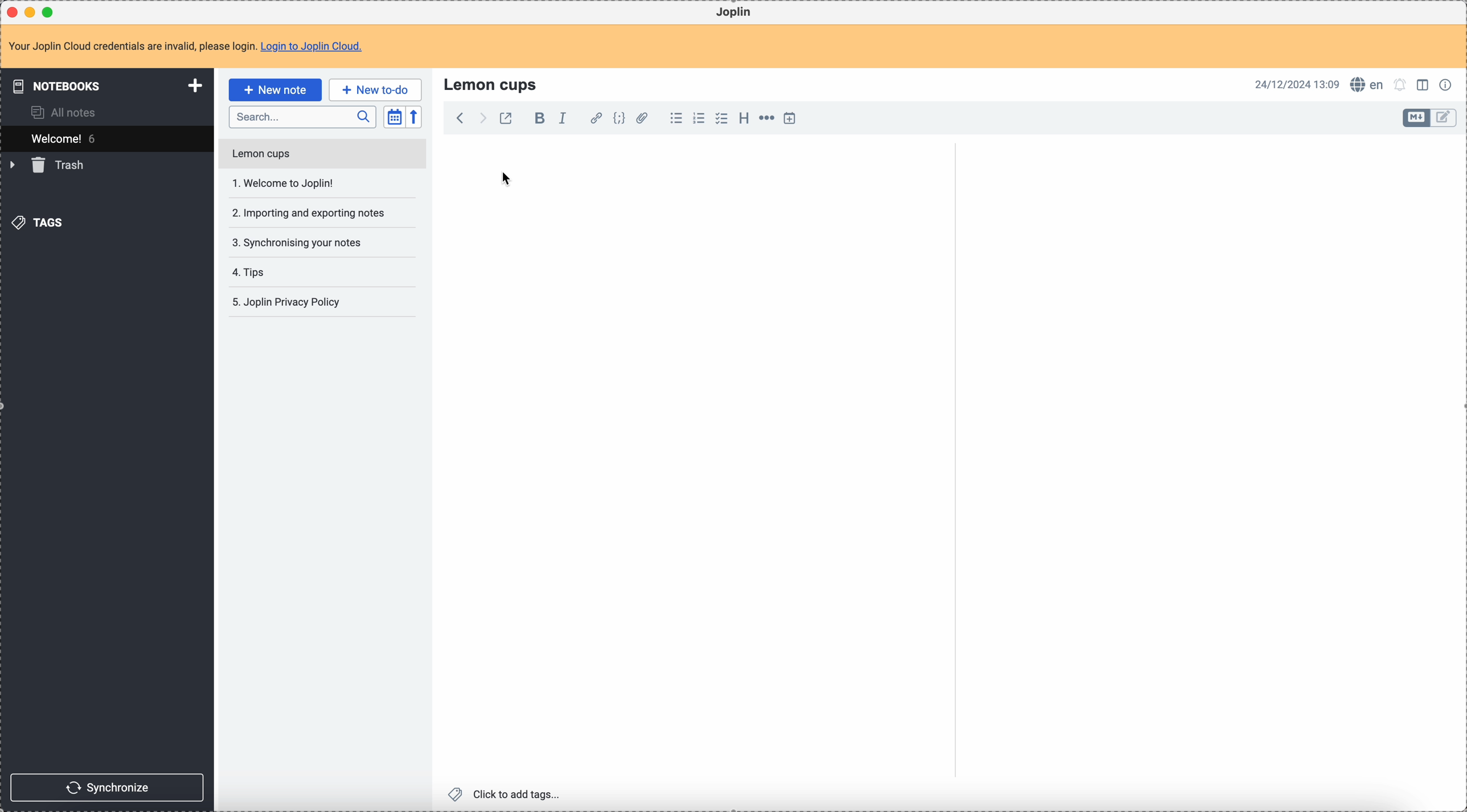 The width and height of the screenshot is (1467, 812). I want to click on tips, so click(251, 273).